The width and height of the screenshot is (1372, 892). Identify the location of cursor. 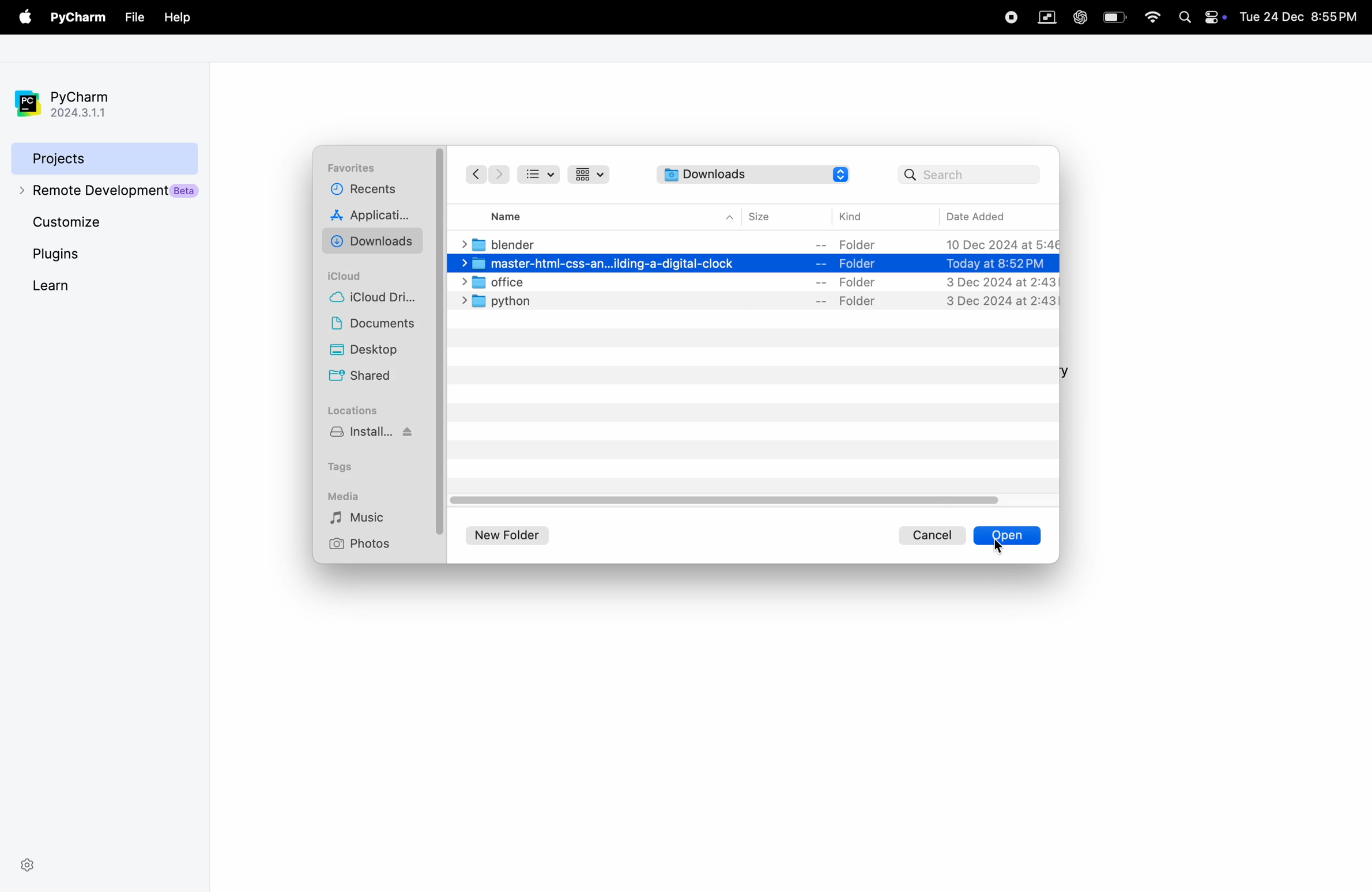
(998, 542).